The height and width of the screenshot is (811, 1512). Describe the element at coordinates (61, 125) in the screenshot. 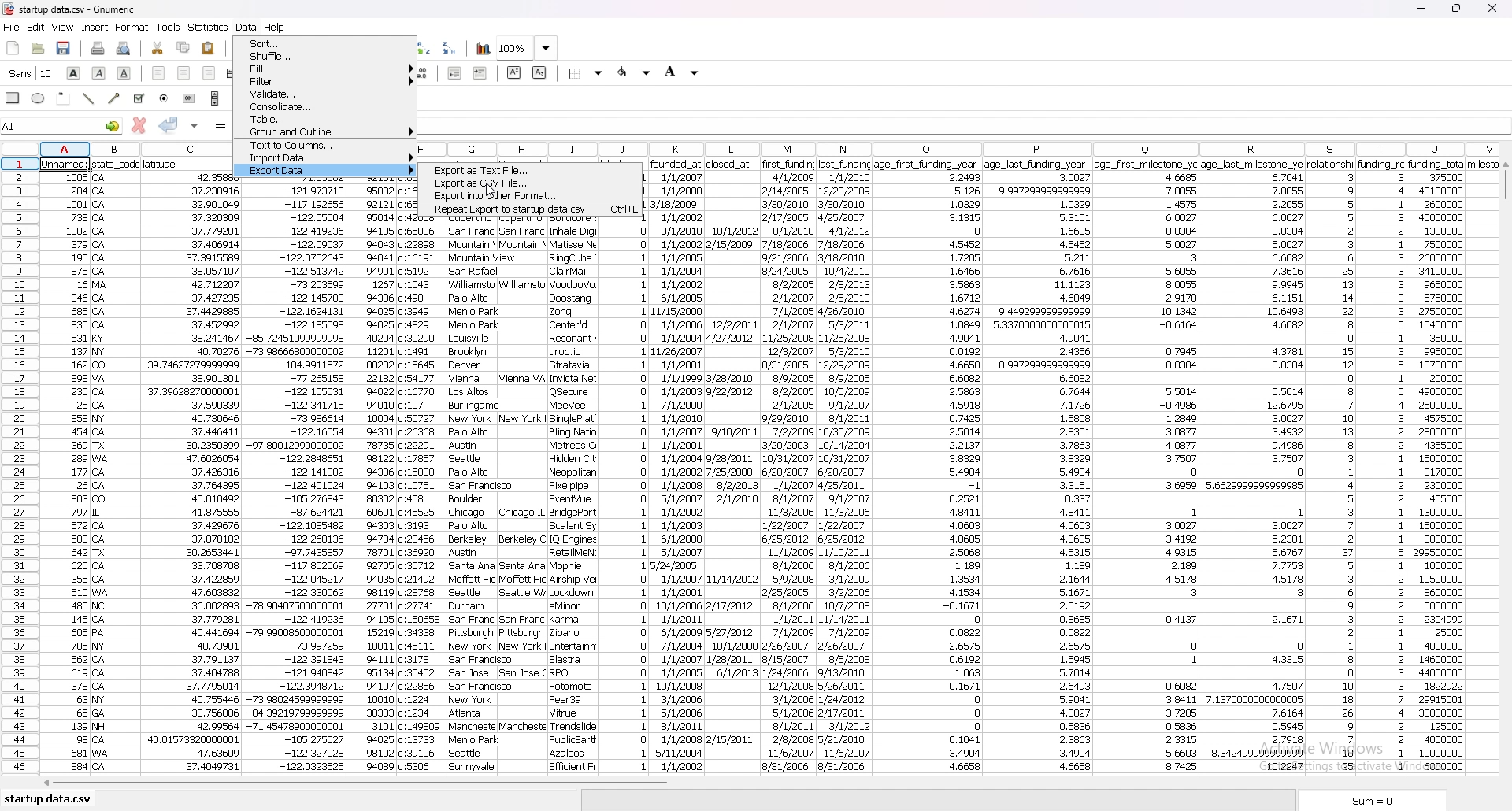

I see `selected cell` at that location.